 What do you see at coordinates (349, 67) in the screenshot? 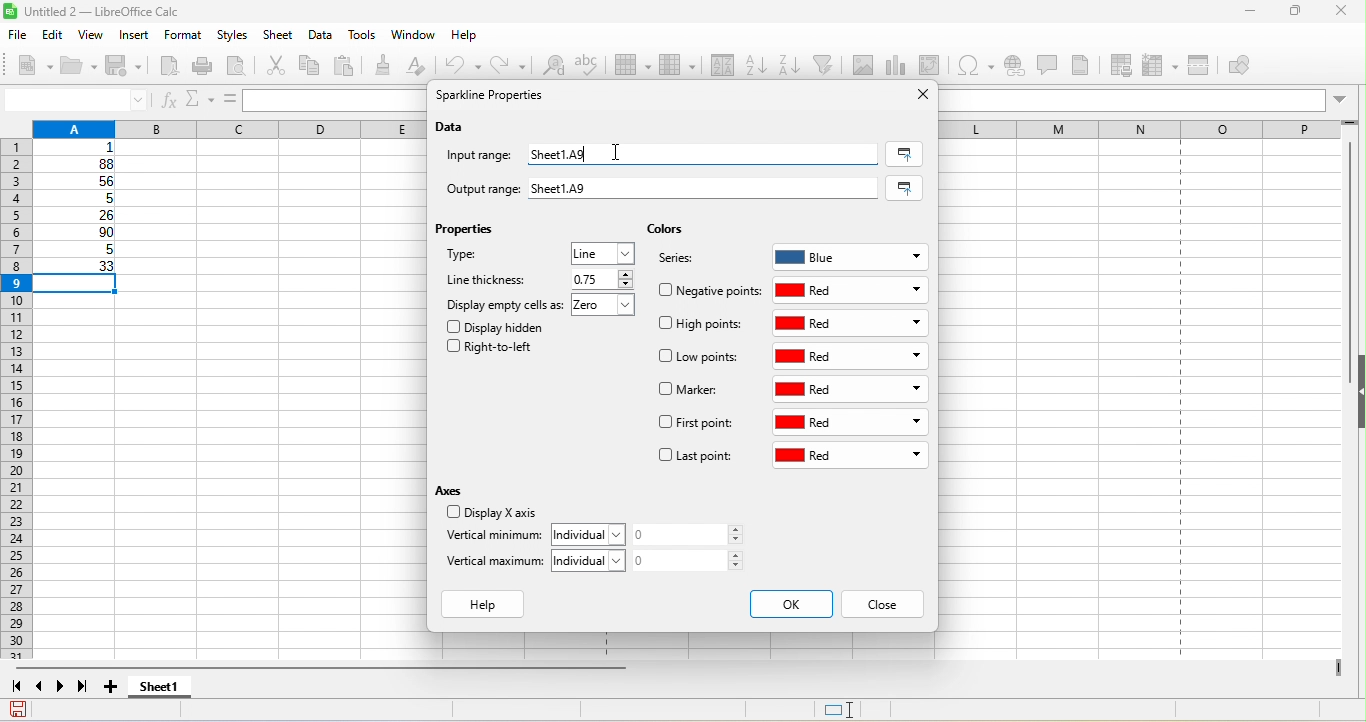
I see `paste` at bounding box center [349, 67].